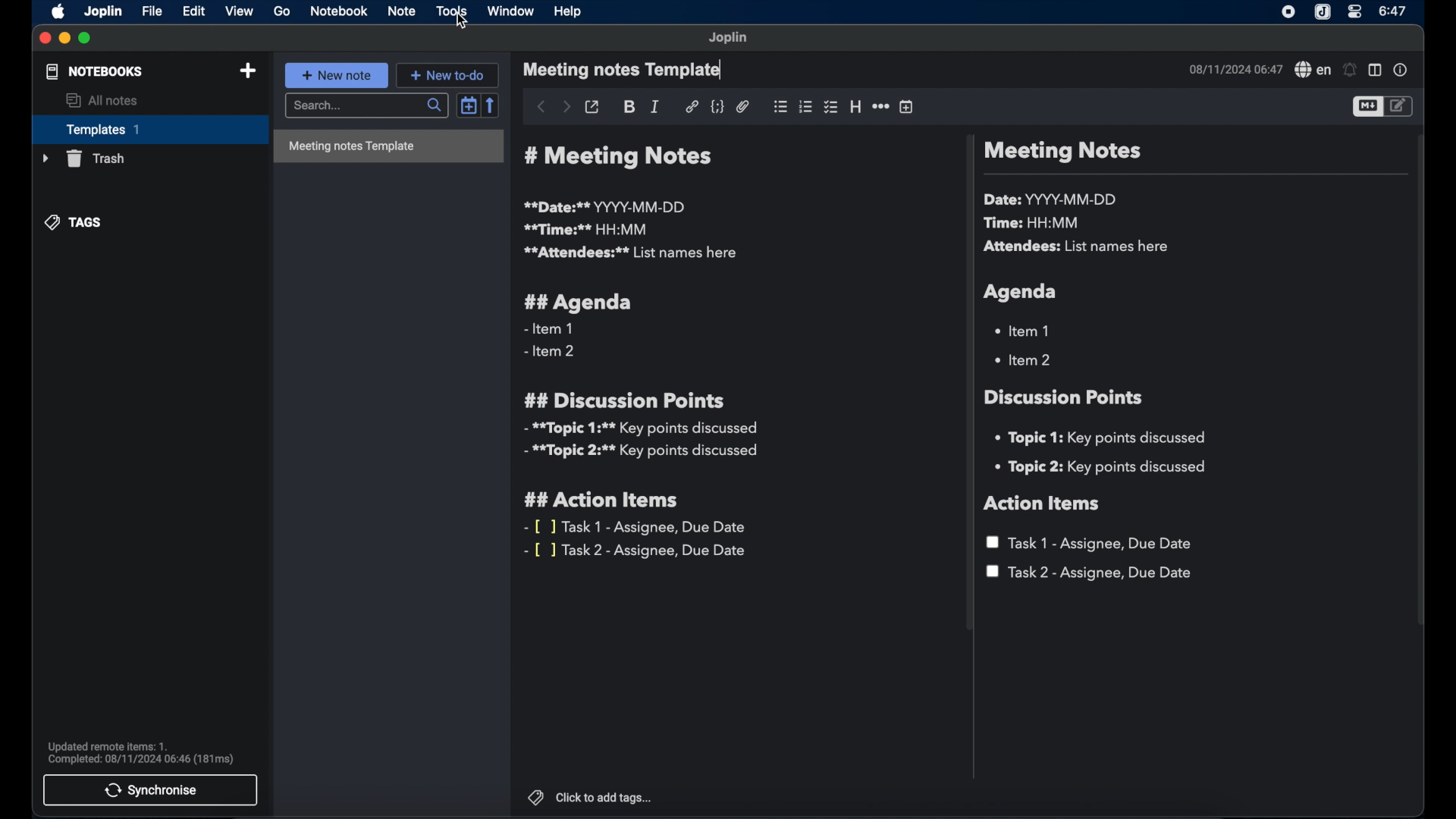 The width and height of the screenshot is (1456, 819). Describe the element at coordinates (1035, 224) in the screenshot. I see `time: HH:MM` at that location.